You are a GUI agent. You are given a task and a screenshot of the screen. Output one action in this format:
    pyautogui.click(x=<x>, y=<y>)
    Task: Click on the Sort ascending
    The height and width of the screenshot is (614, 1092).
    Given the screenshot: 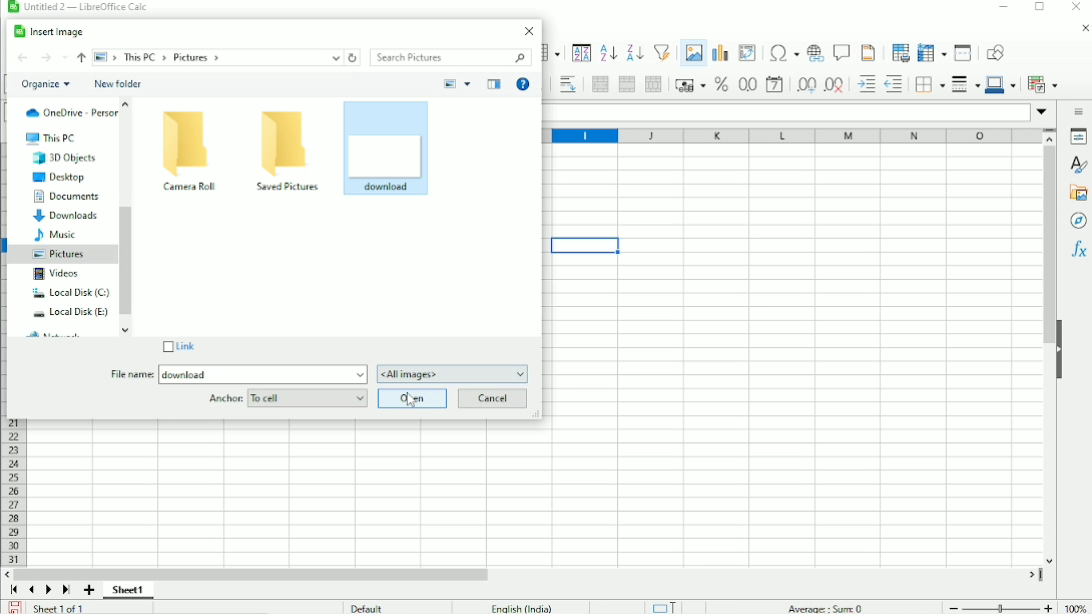 What is the action you would take?
    pyautogui.click(x=607, y=53)
    